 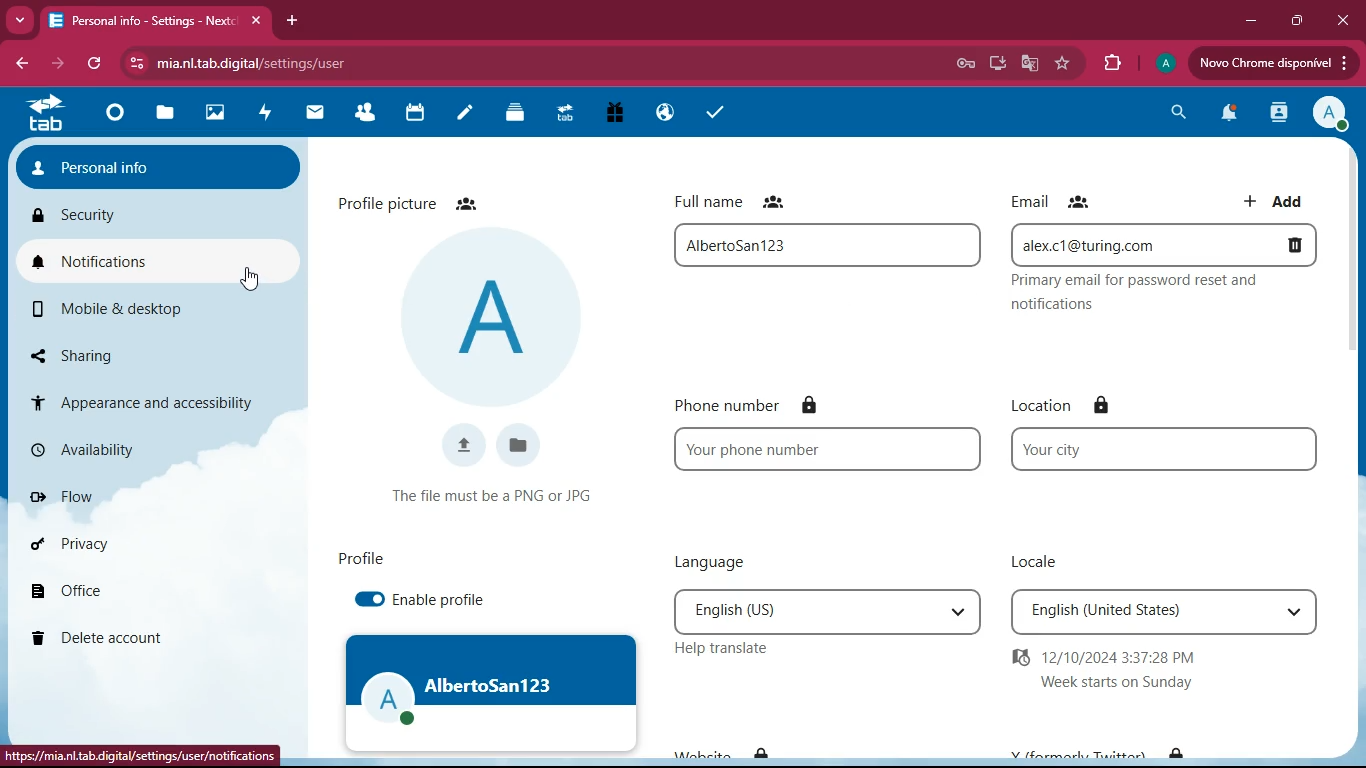 I want to click on X (fomarly Twitter), so click(x=1098, y=749).